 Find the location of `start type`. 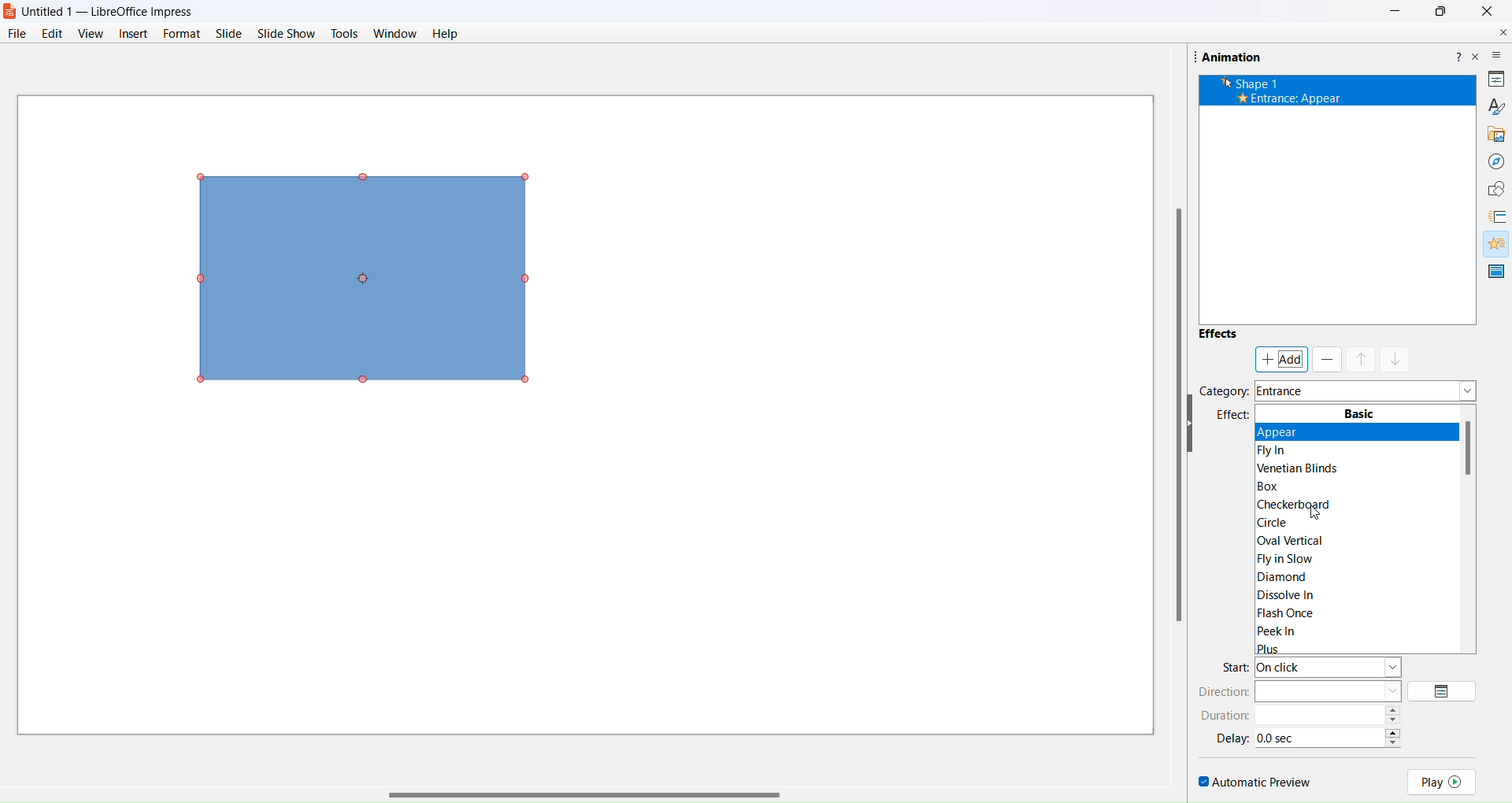

start type is located at coordinates (1332, 667).